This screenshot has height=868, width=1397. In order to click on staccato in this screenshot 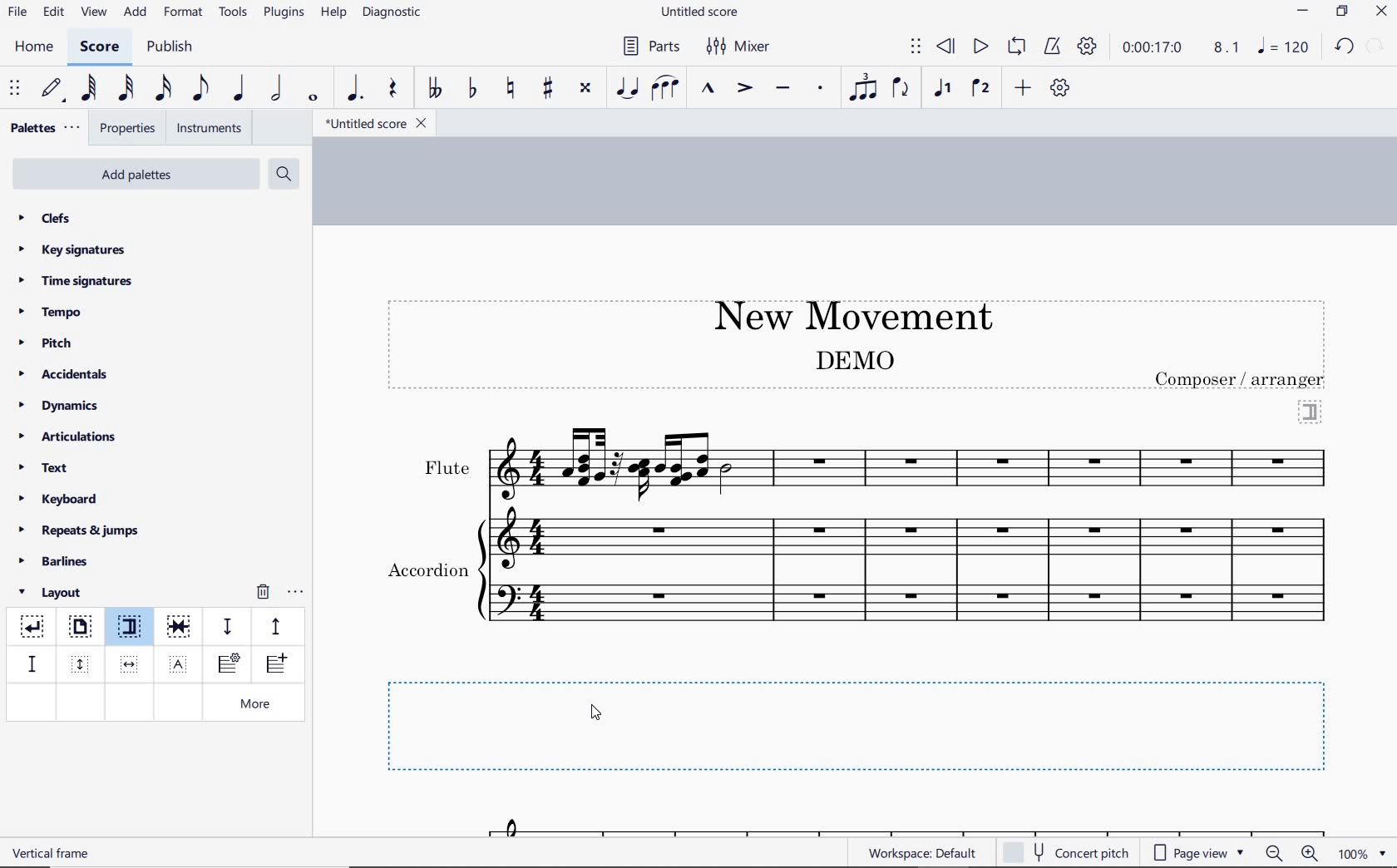, I will do `click(821, 88)`.